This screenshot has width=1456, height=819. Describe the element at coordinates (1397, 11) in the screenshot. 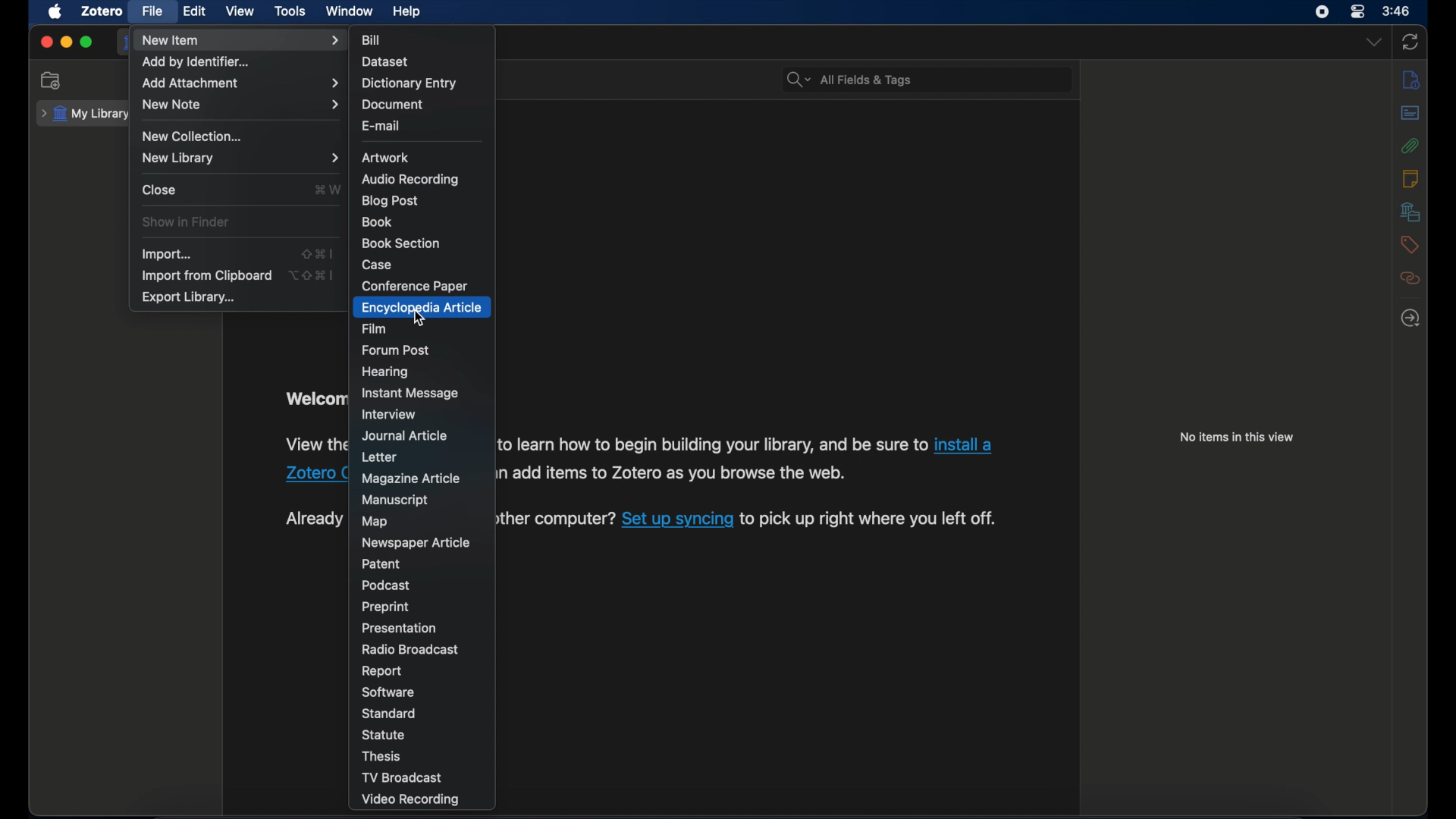

I see `3.46` at that location.